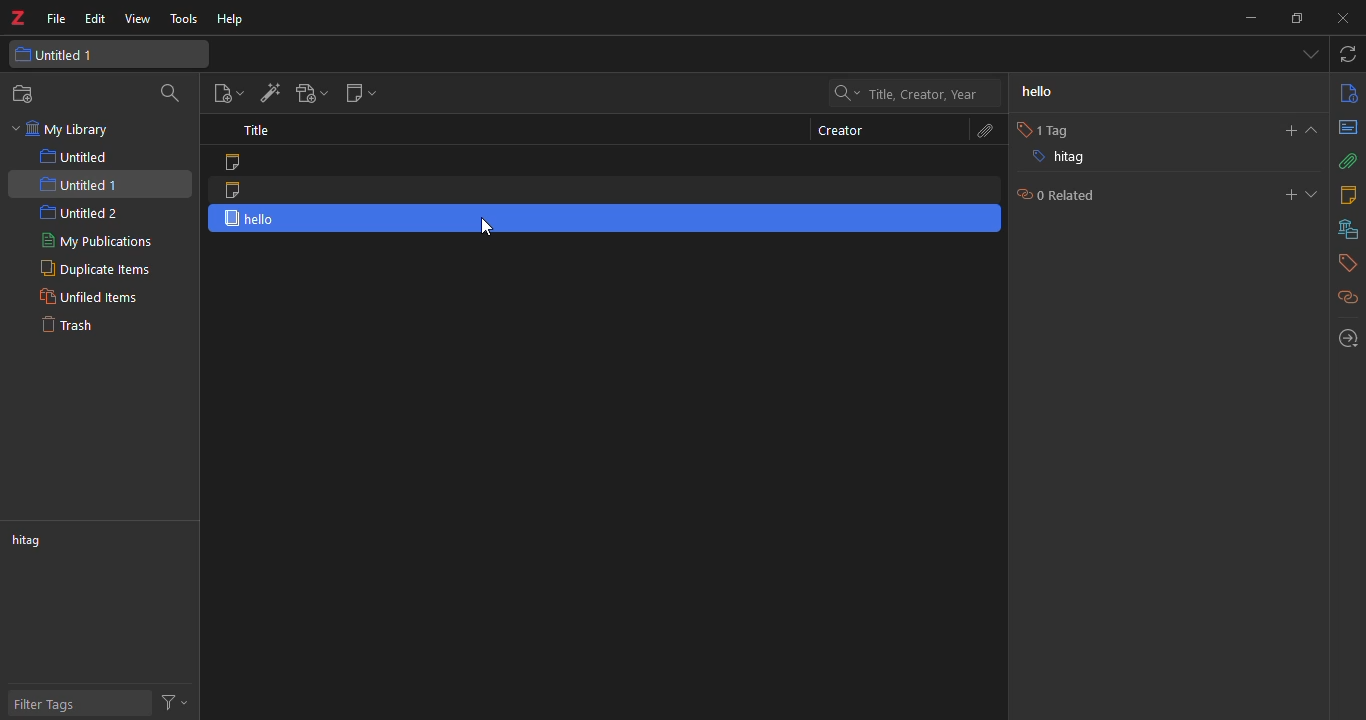 The image size is (1366, 720). What do you see at coordinates (252, 132) in the screenshot?
I see `title` at bounding box center [252, 132].